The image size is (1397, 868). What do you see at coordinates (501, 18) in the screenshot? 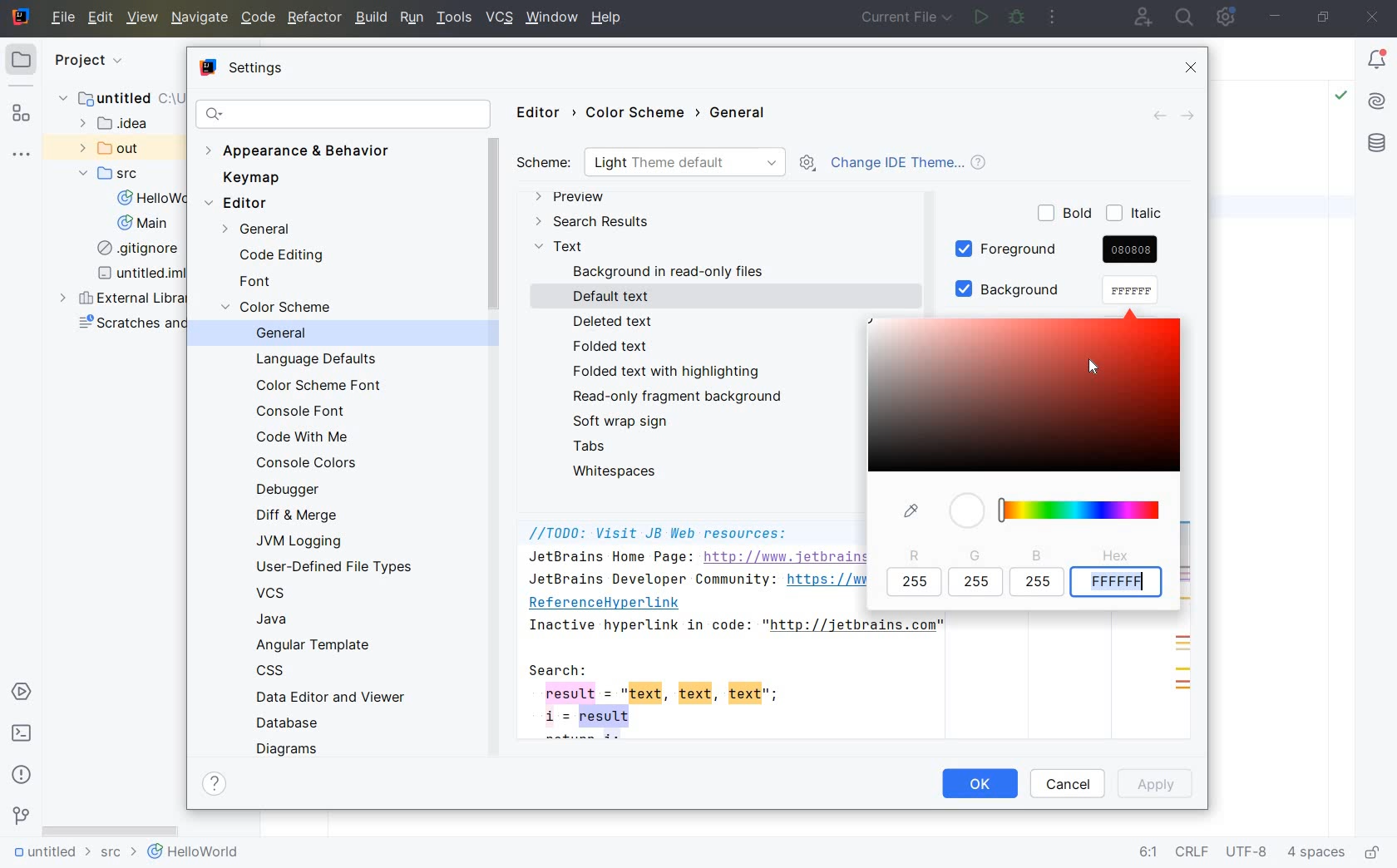
I see `VCS` at bounding box center [501, 18].